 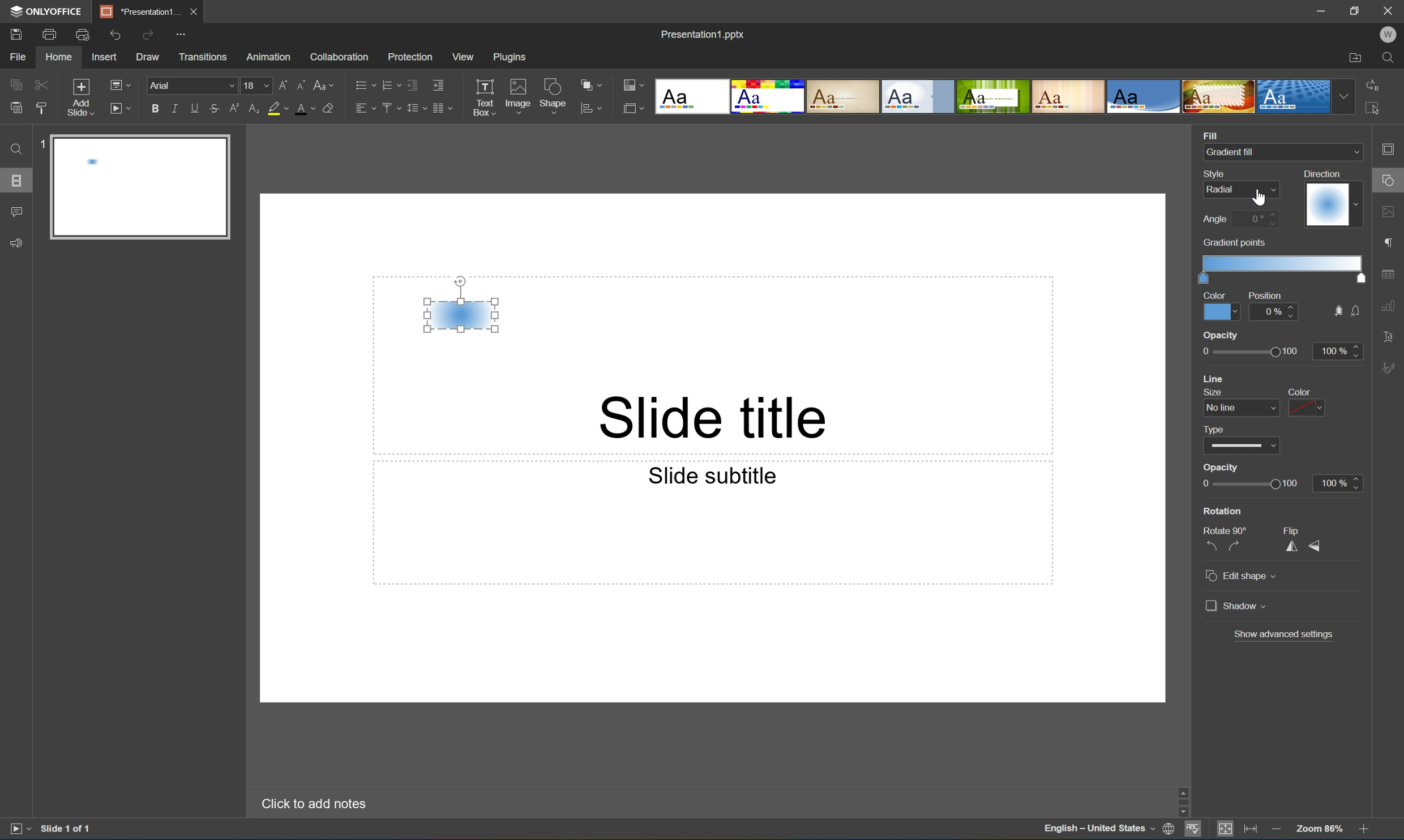 I want to click on Slider, so click(x=1248, y=485).